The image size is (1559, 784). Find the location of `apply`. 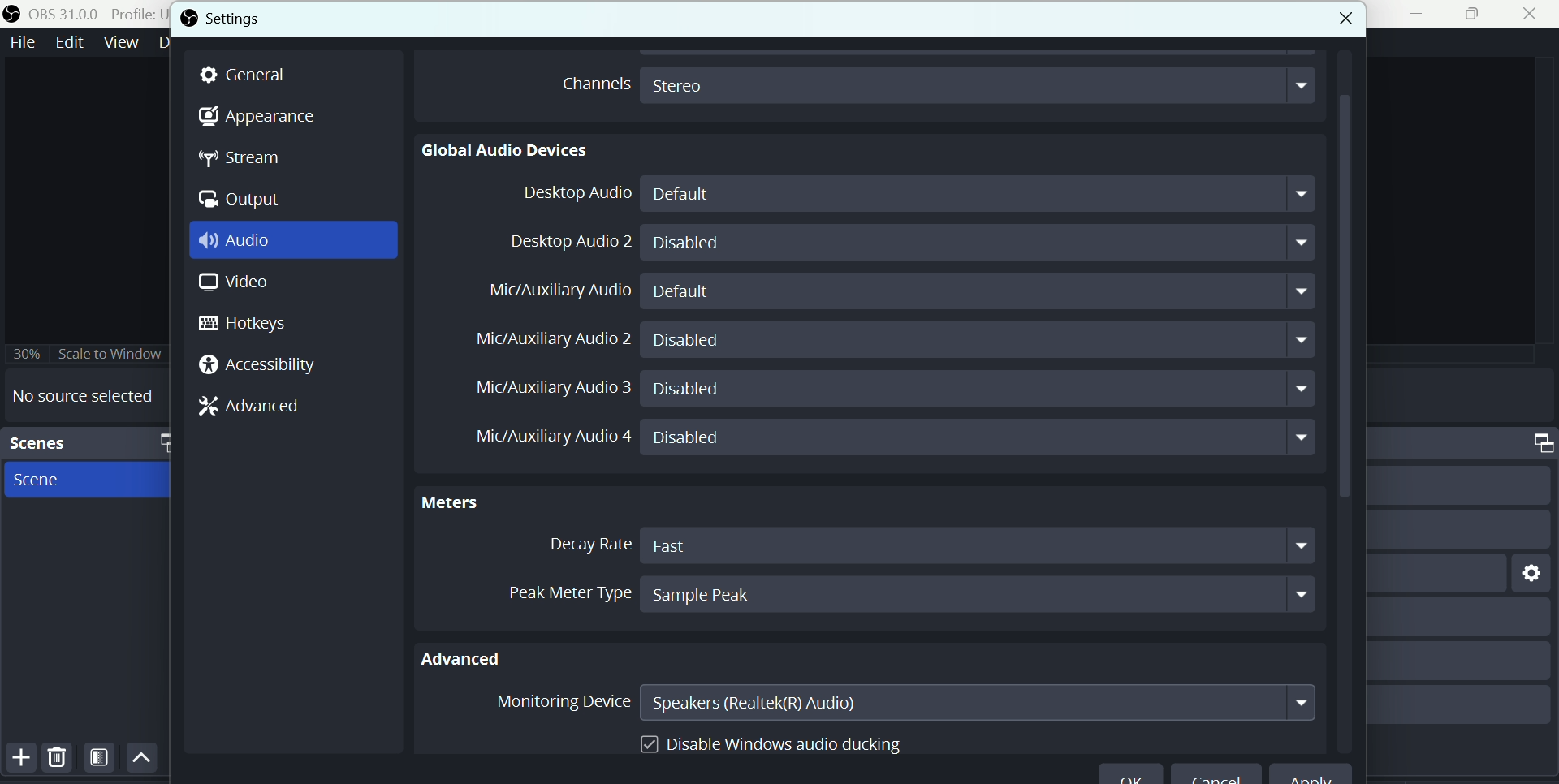

apply is located at coordinates (1320, 775).